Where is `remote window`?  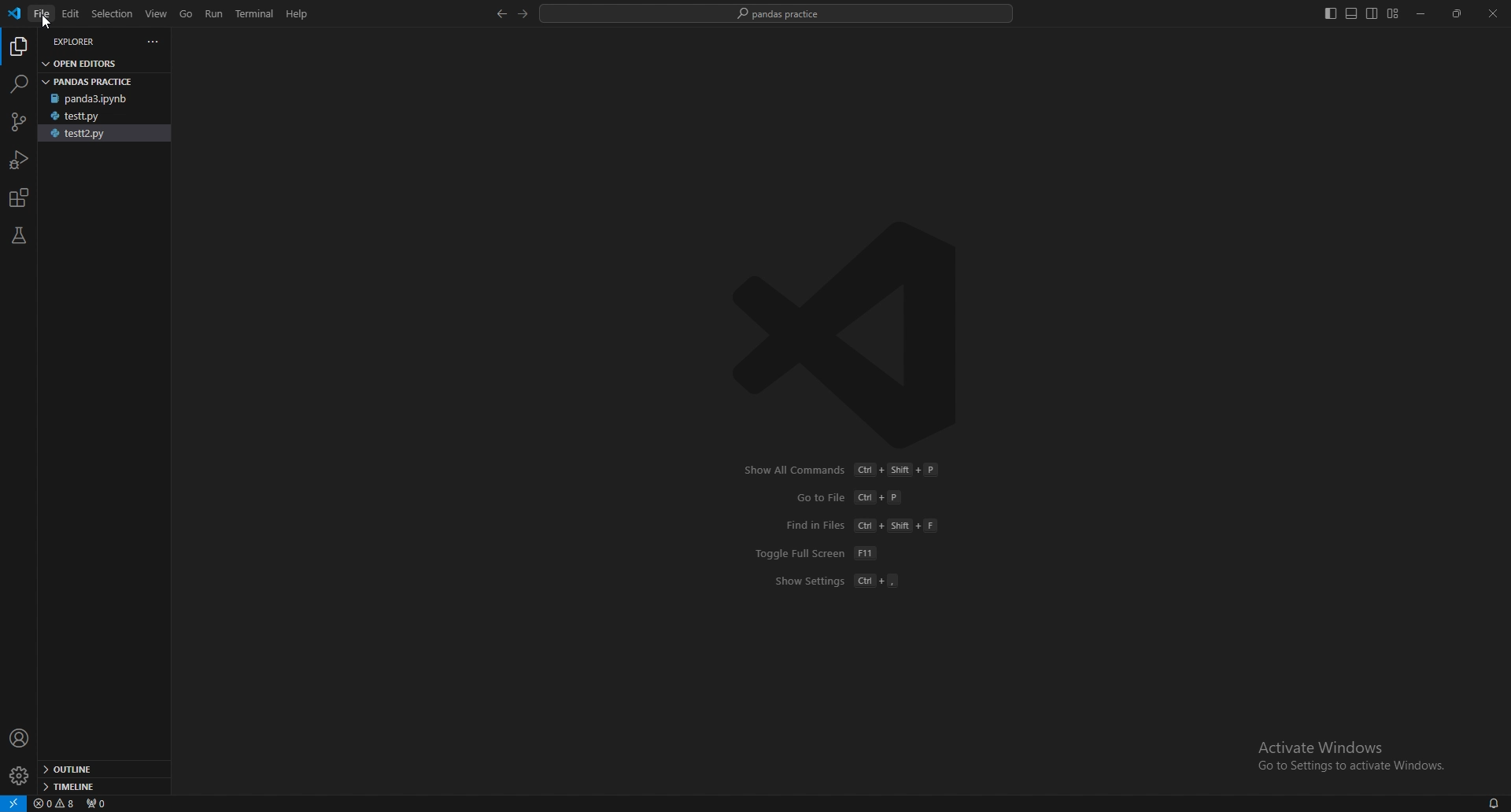
remote window is located at coordinates (13, 803).